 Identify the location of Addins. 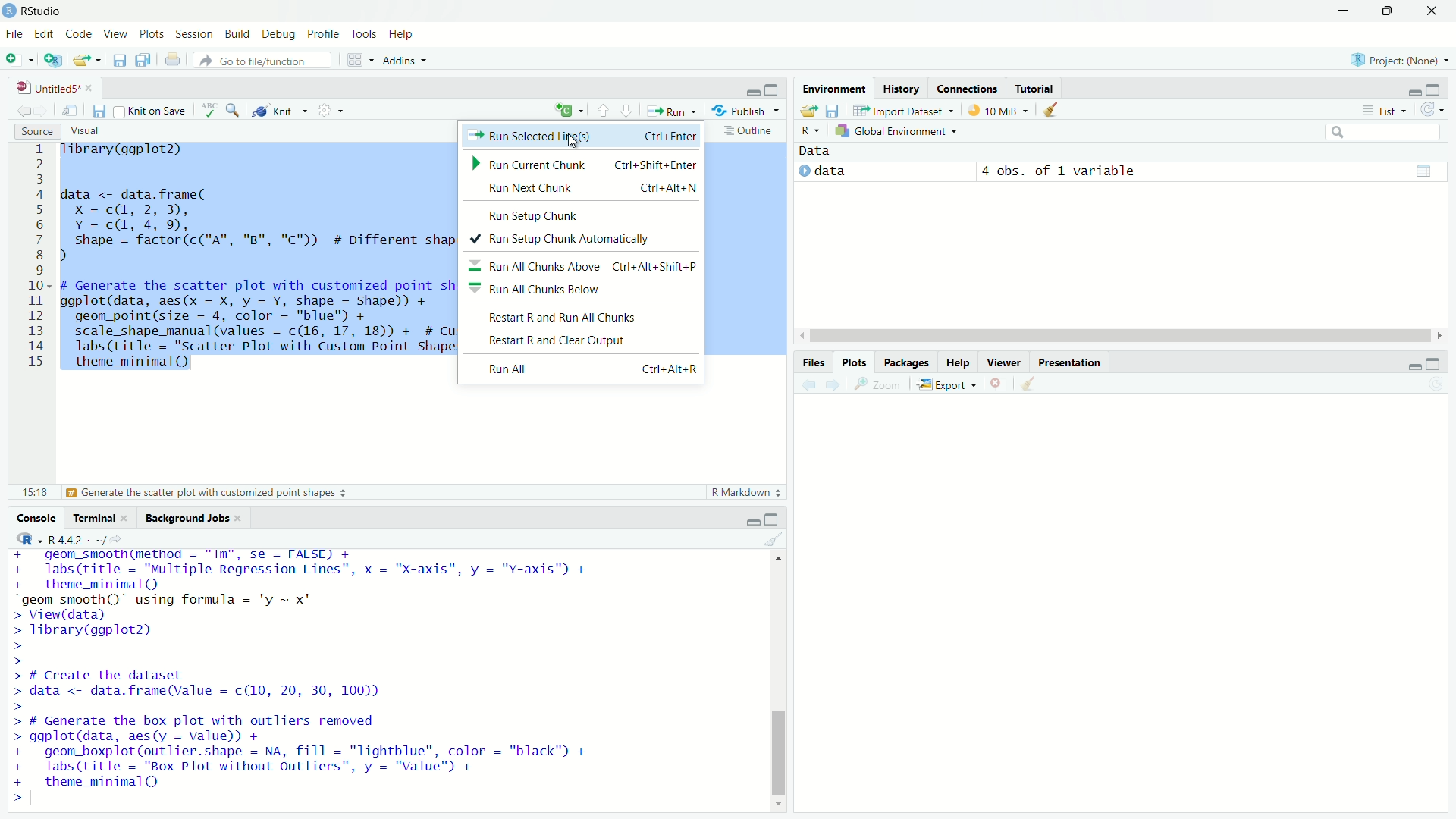
(406, 60).